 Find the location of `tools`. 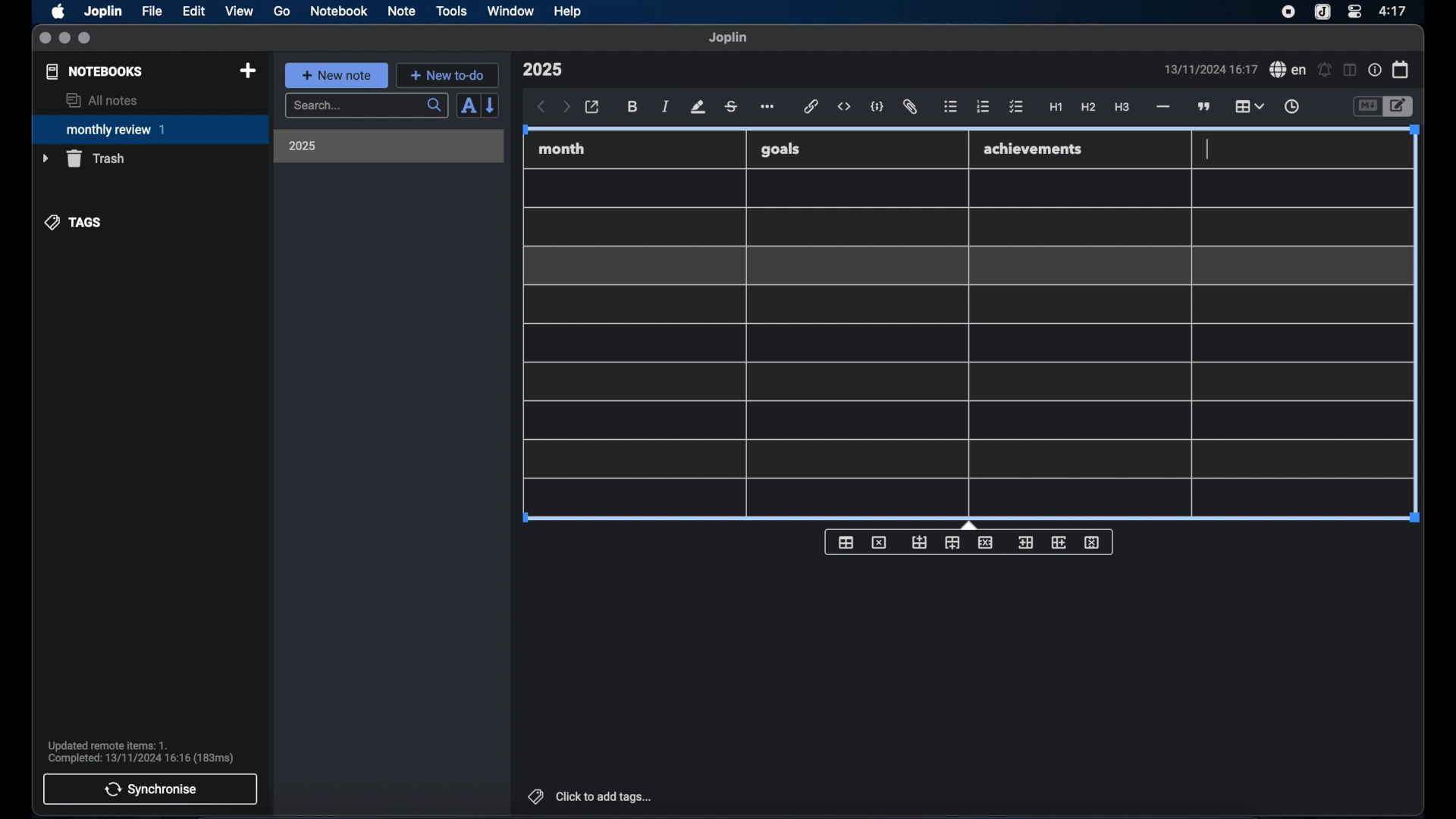

tools is located at coordinates (451, 11).